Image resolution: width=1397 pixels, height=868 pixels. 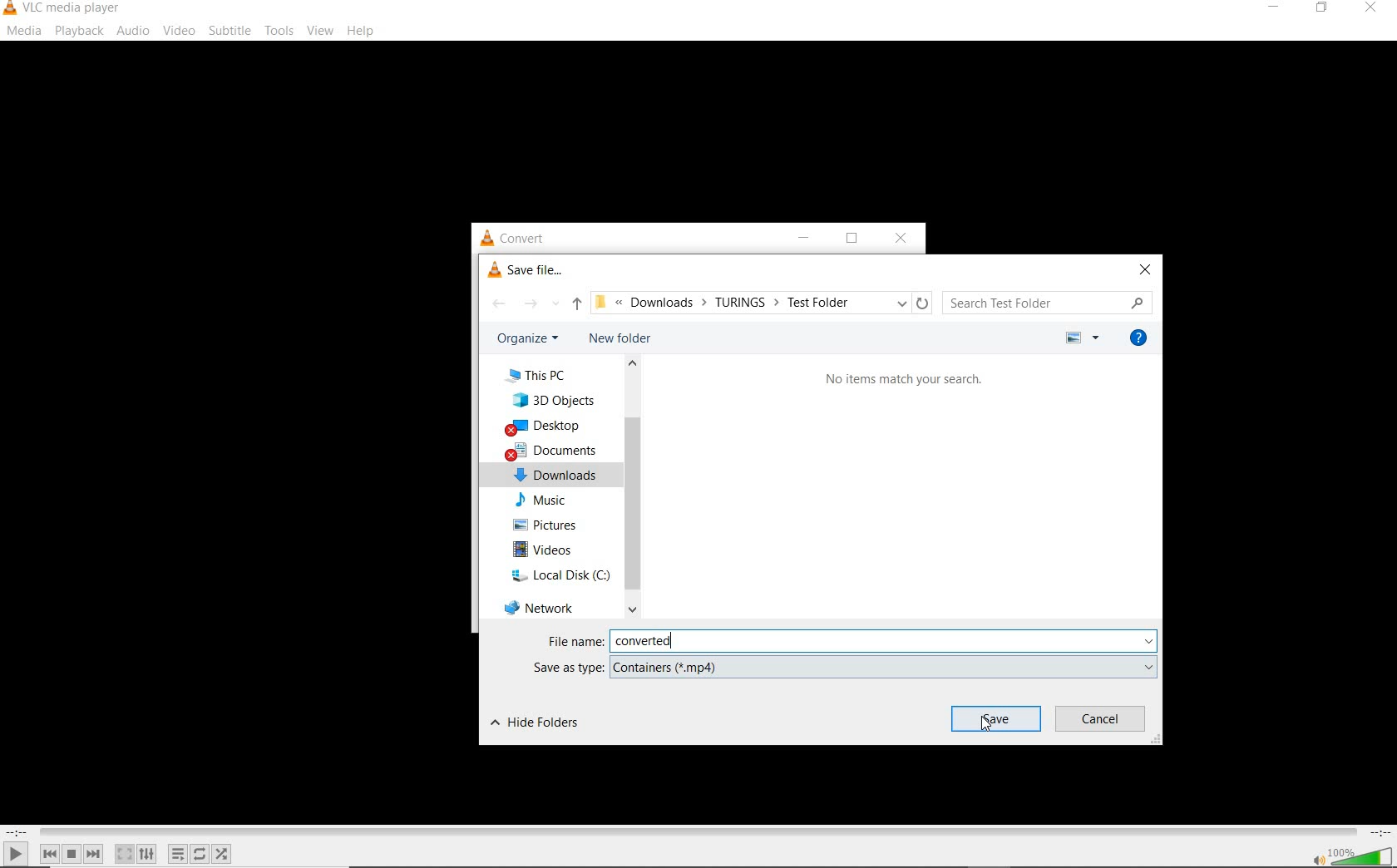 What do you see at coordinates (923, 303) in the screenshot?
I see `refresh "downloads"` at bounding box center [923, 303].